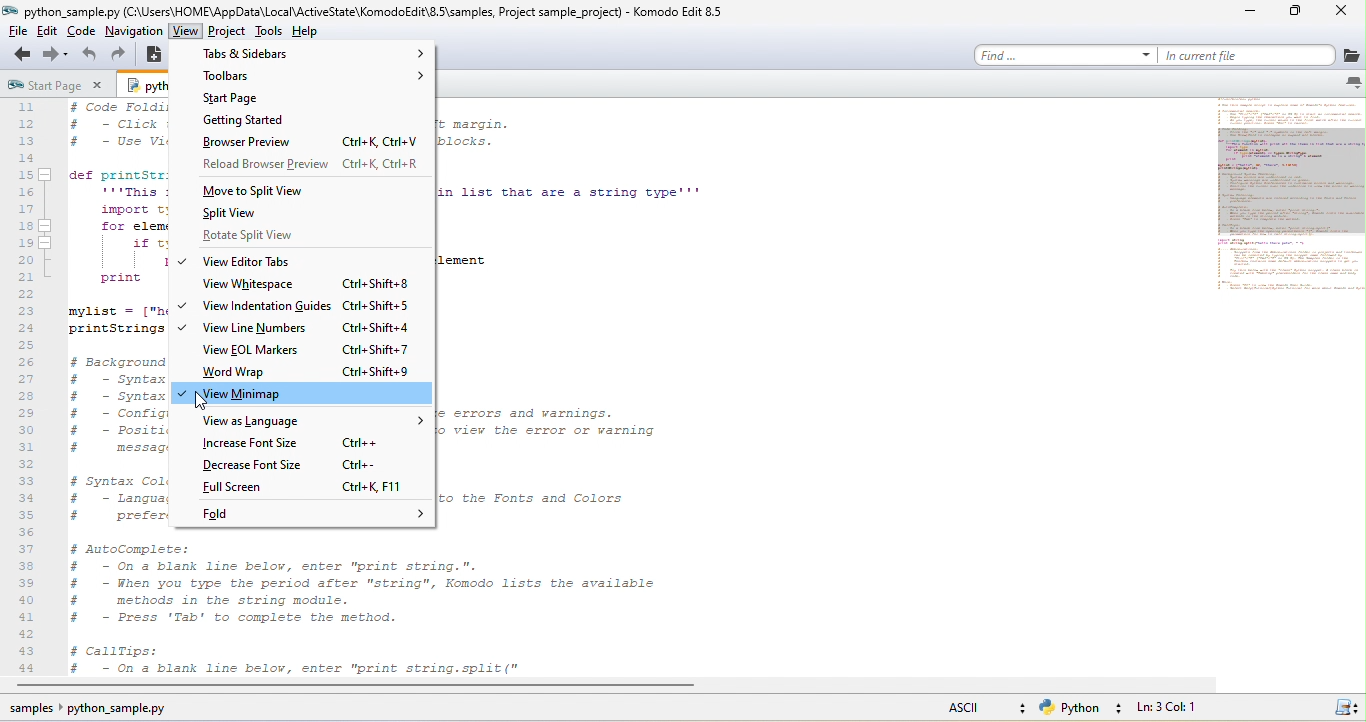 The height and width of the screenshot is (722, 1366). I want to click on minimize, so click(1235, 16).